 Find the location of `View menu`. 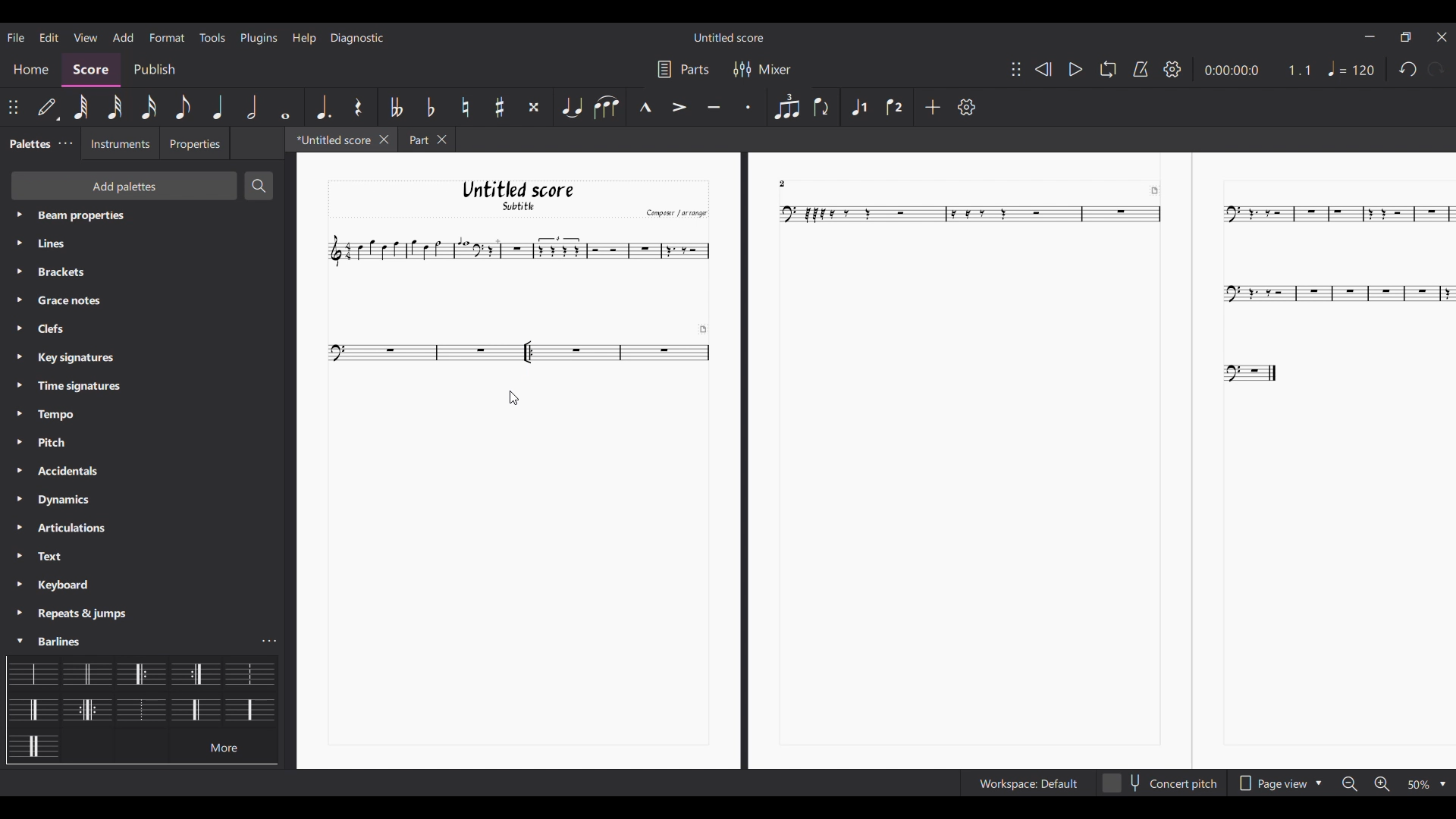

View menu is located at coordinates (86, 36).